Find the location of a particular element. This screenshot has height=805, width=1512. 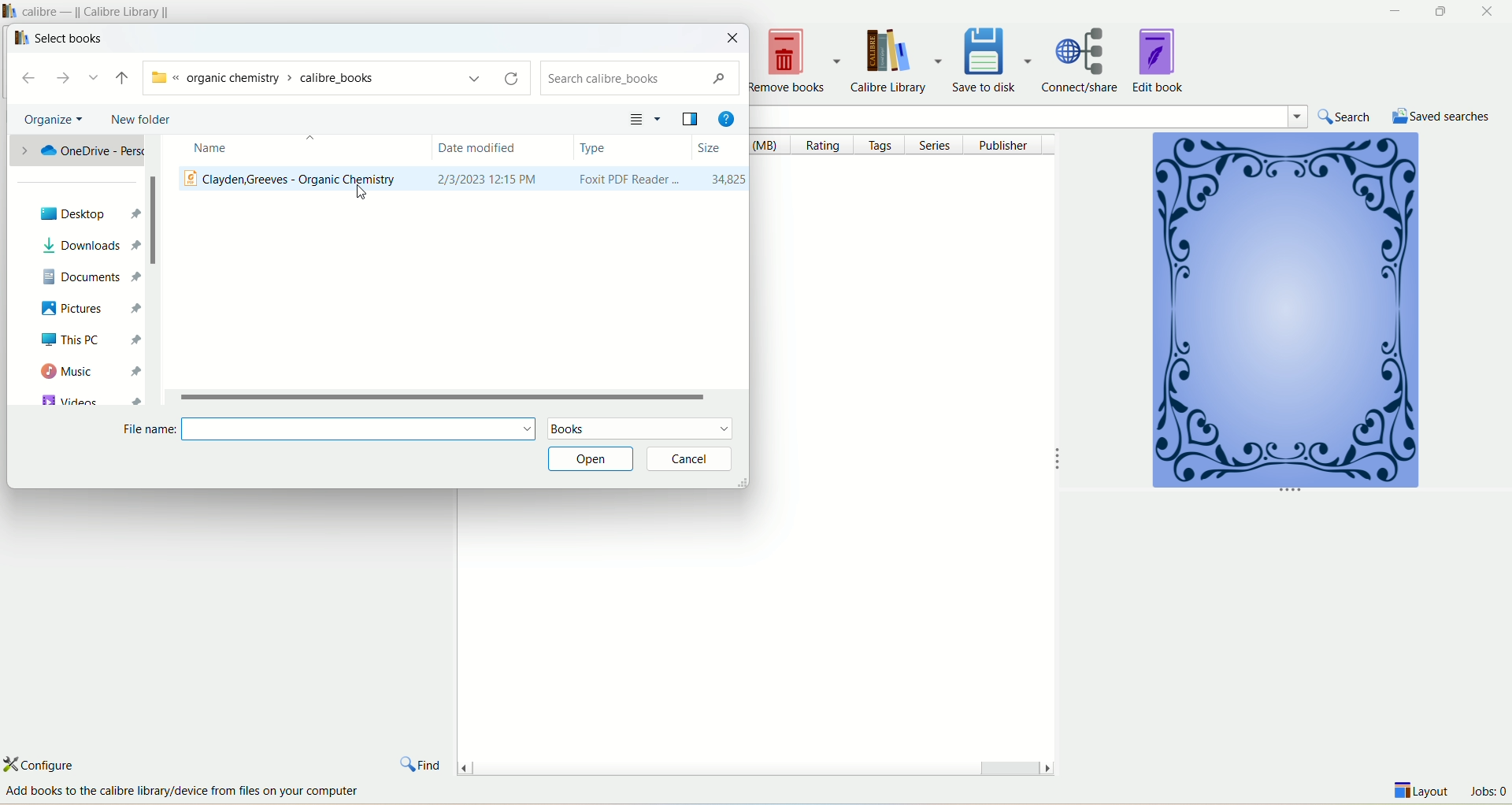

size is located at coordinates (719, 147).